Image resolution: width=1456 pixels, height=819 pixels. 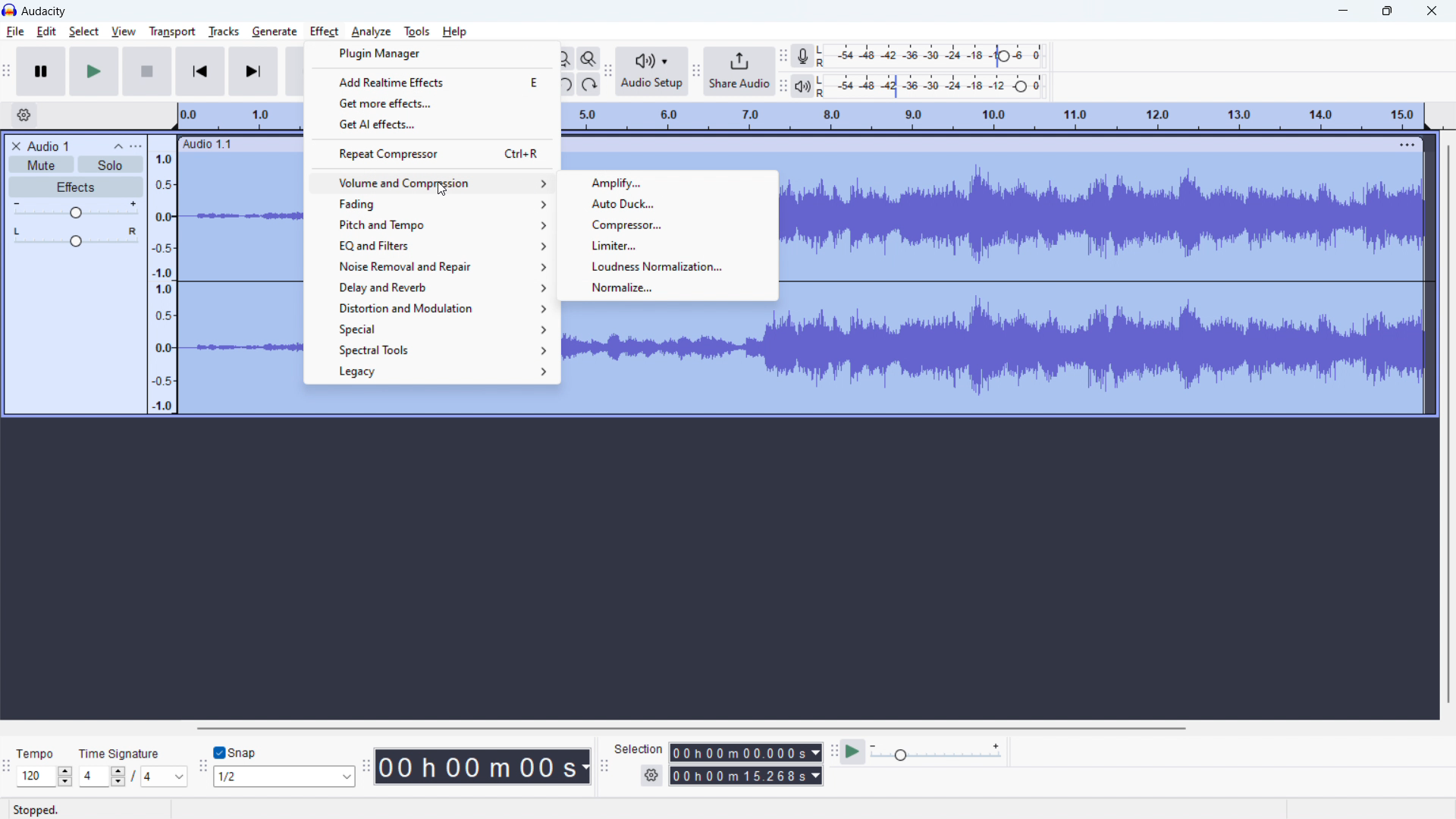 What do you see at coordinates (668, 245) in the screenshot?
I see `limiter` at bounding box center [668, 245].